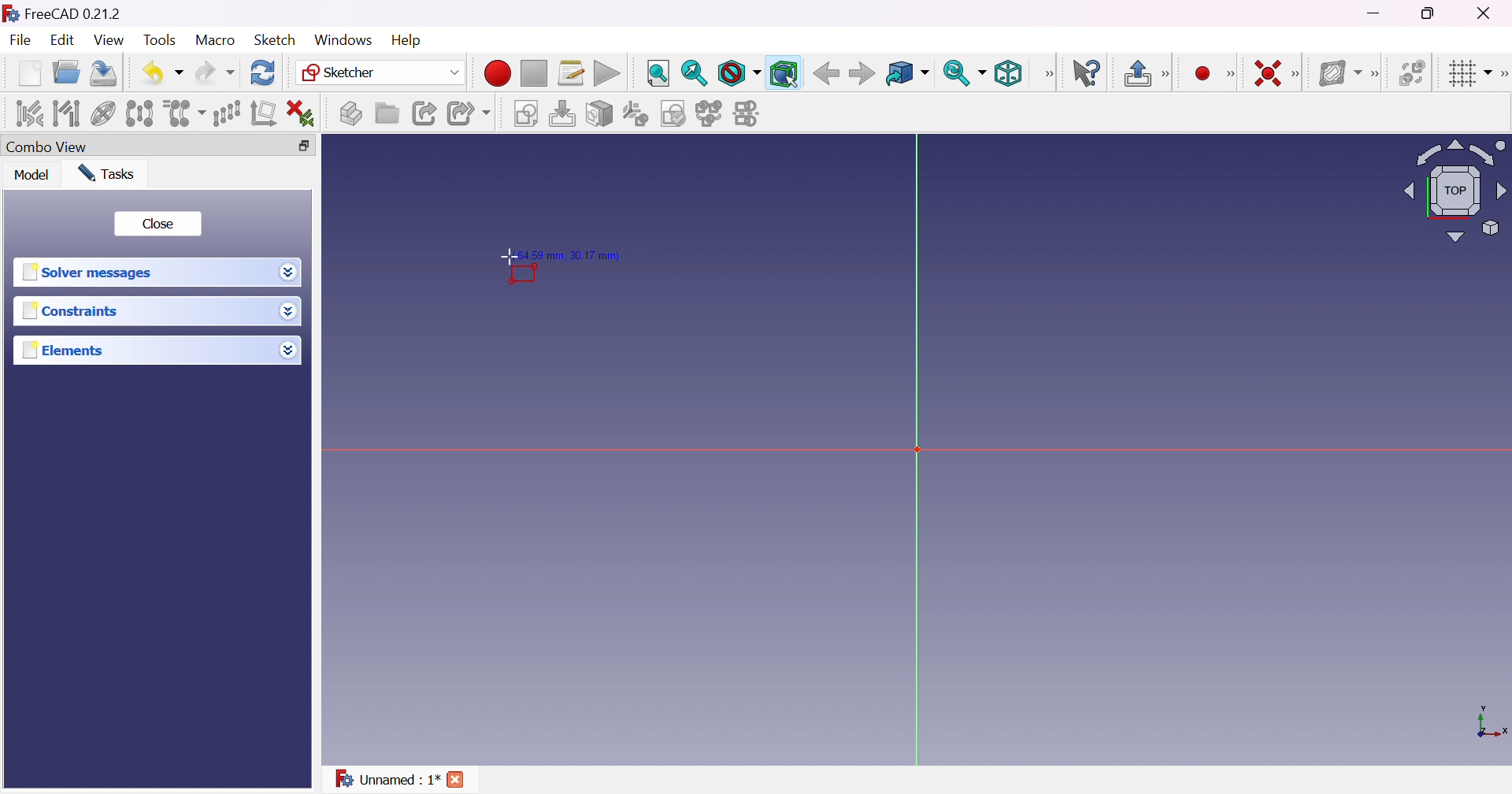  I want to click on Back, so click(826, 74).